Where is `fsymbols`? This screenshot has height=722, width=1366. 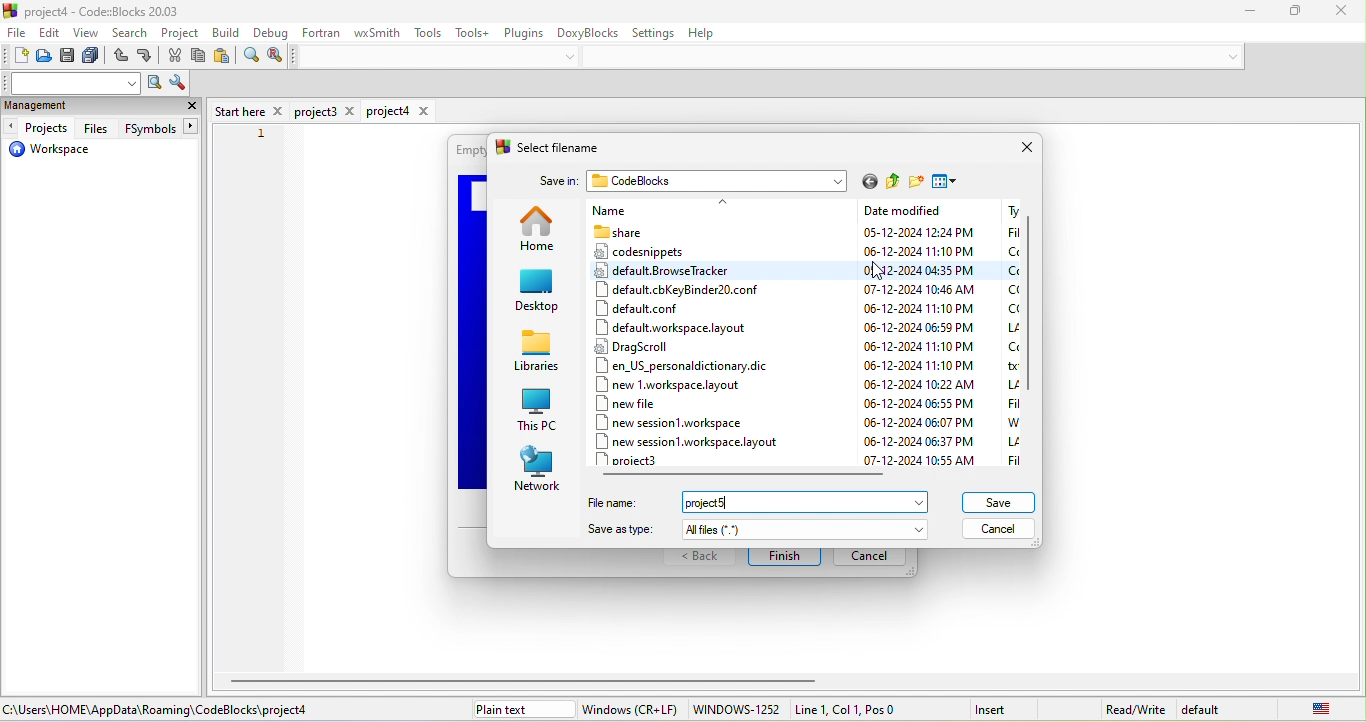 fsymbols is located at coordinates (158, 129).